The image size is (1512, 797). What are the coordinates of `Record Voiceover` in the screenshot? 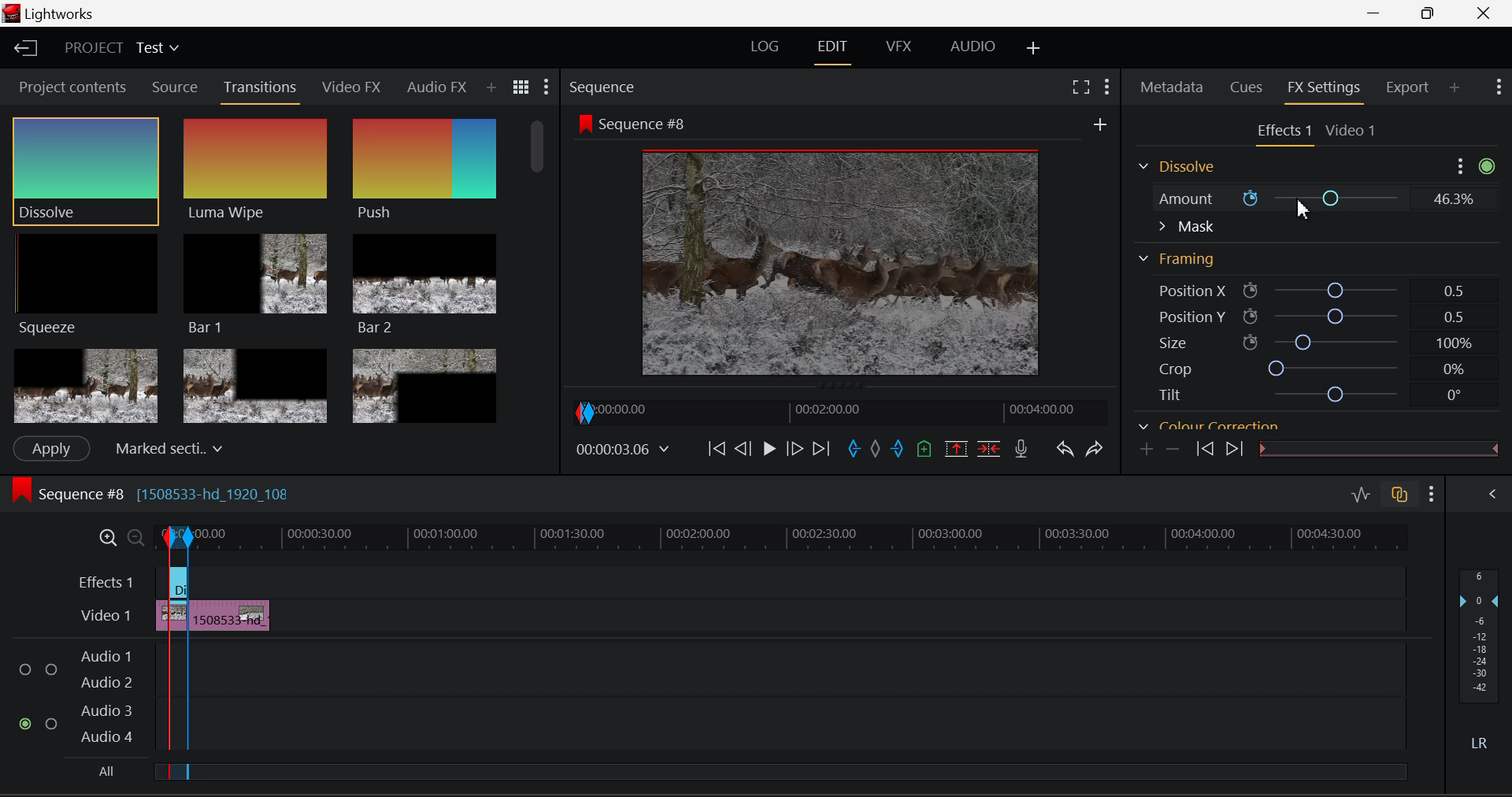 It's located at (1022, 449).